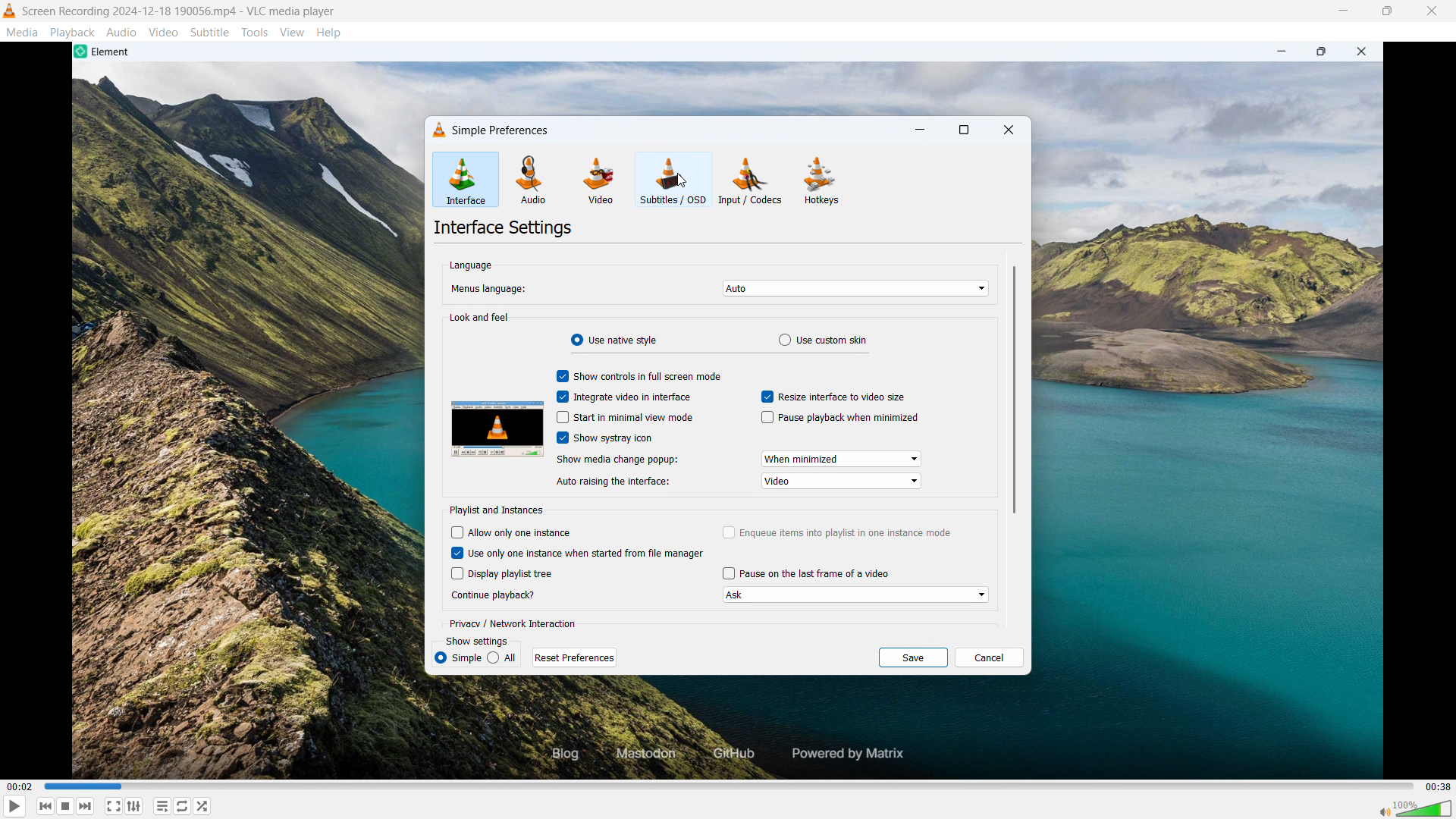  What do you see at coordinates (491, 290) in the screenshot?
I see `Menus language:` at bounding box center [491, 290].